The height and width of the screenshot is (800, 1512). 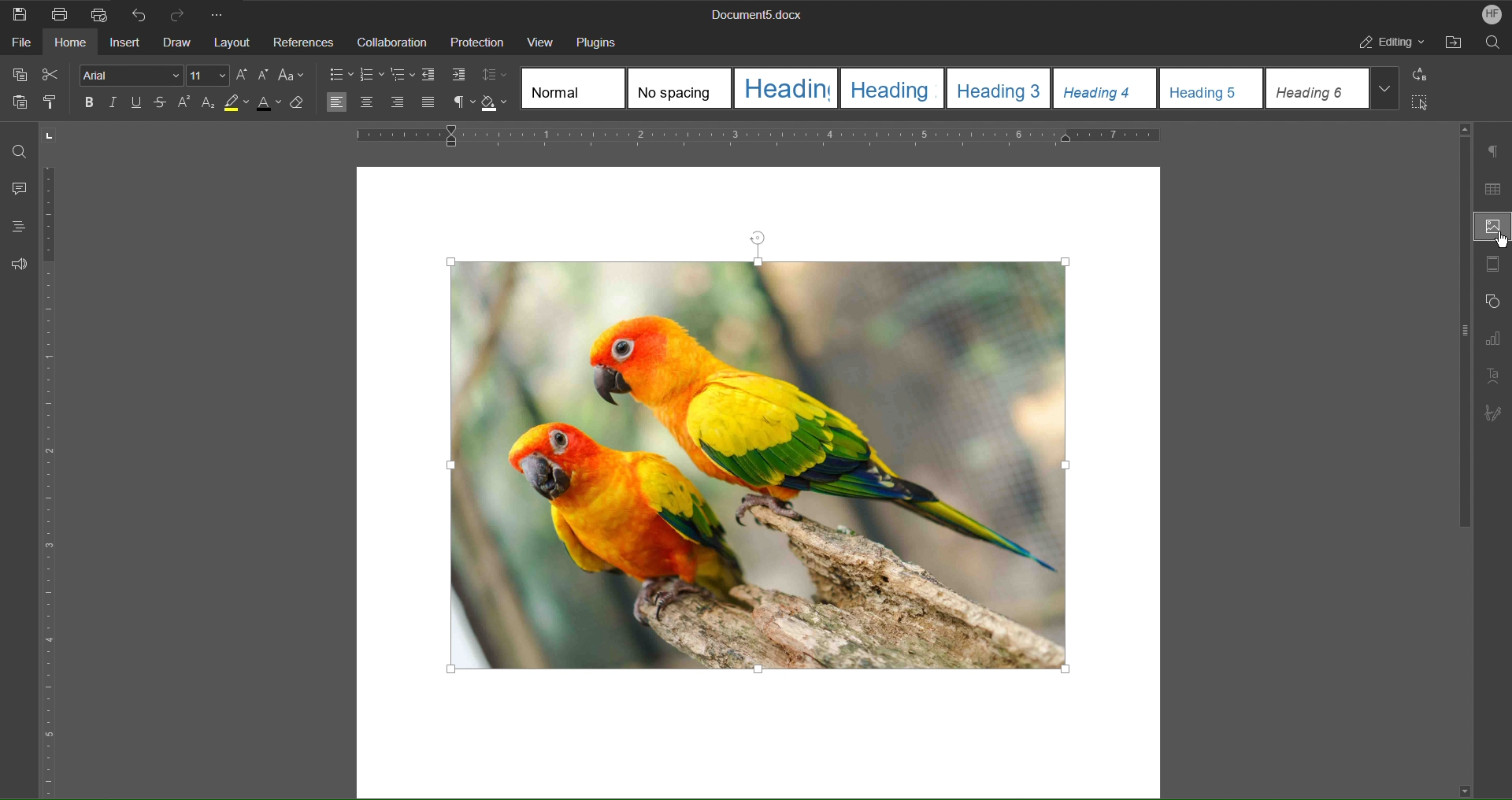 What do you see at coordinates (221, 13) in the screenshot?
I see `More` at bounding box center [221, 13].